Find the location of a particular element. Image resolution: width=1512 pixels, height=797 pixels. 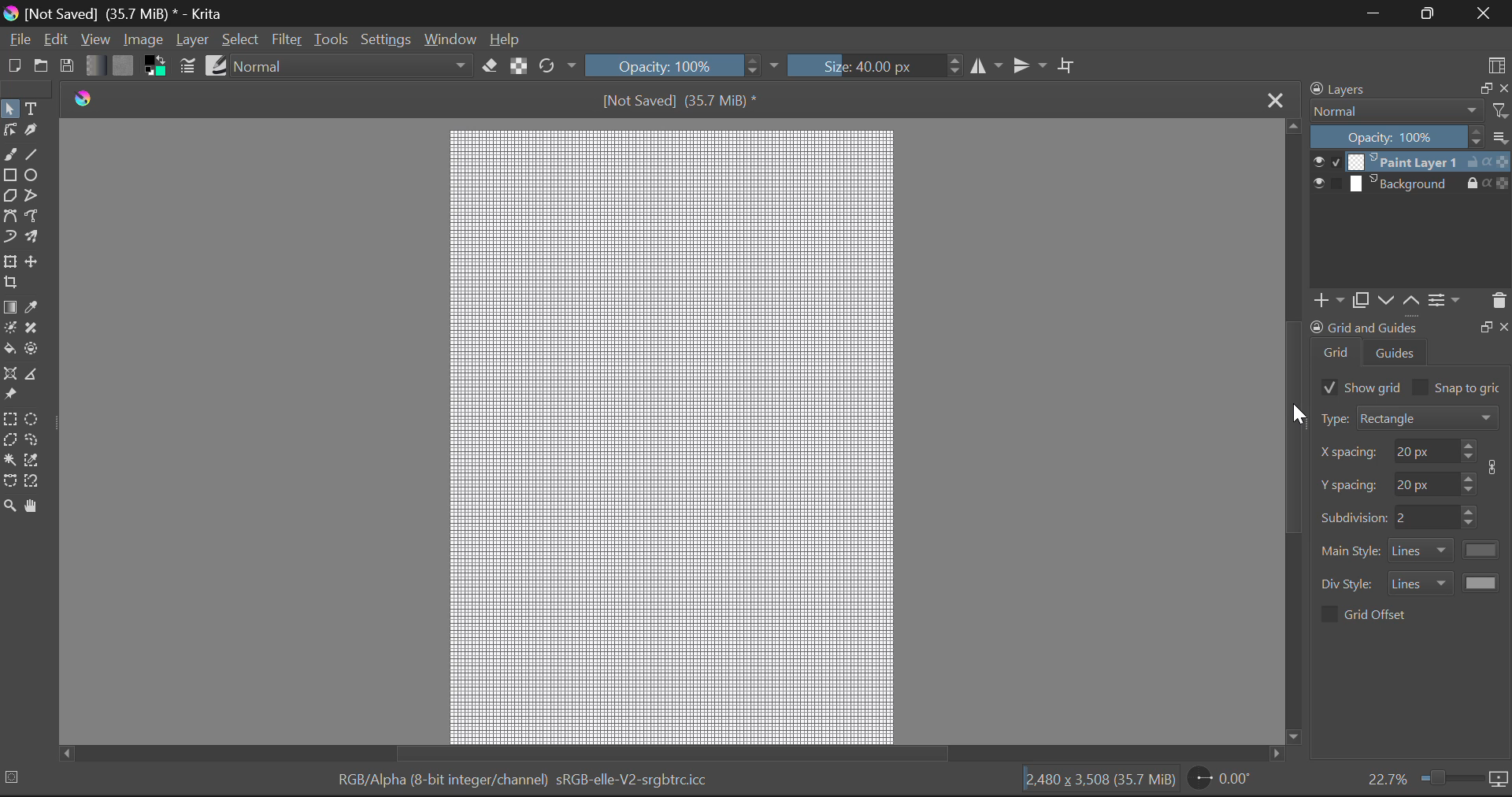

Brush Size is located at coordinates (873, 65).